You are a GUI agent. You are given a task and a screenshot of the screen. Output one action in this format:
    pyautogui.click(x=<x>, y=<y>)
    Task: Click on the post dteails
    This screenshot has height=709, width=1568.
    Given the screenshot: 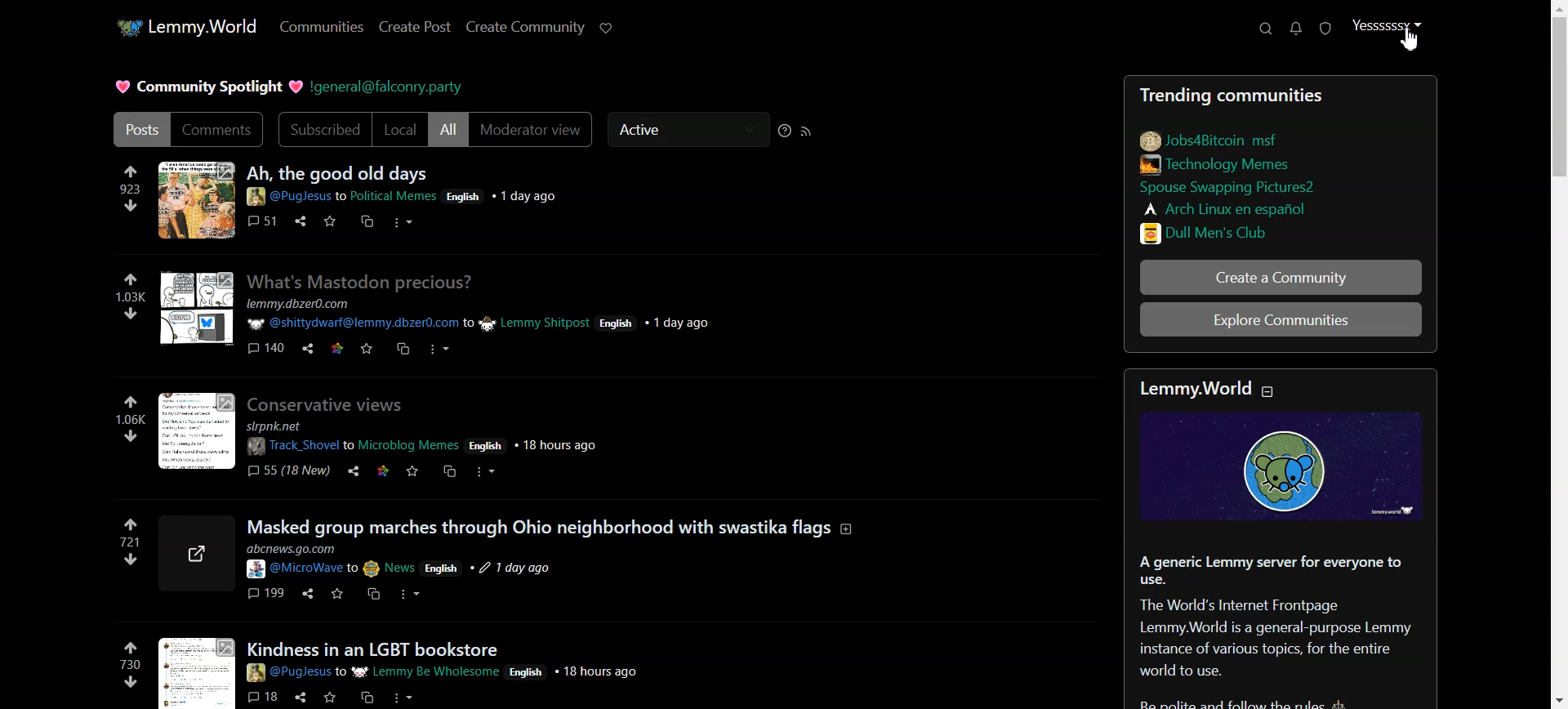 What is the action you would take?
    pyautogui.click(x=417, y=560)
    